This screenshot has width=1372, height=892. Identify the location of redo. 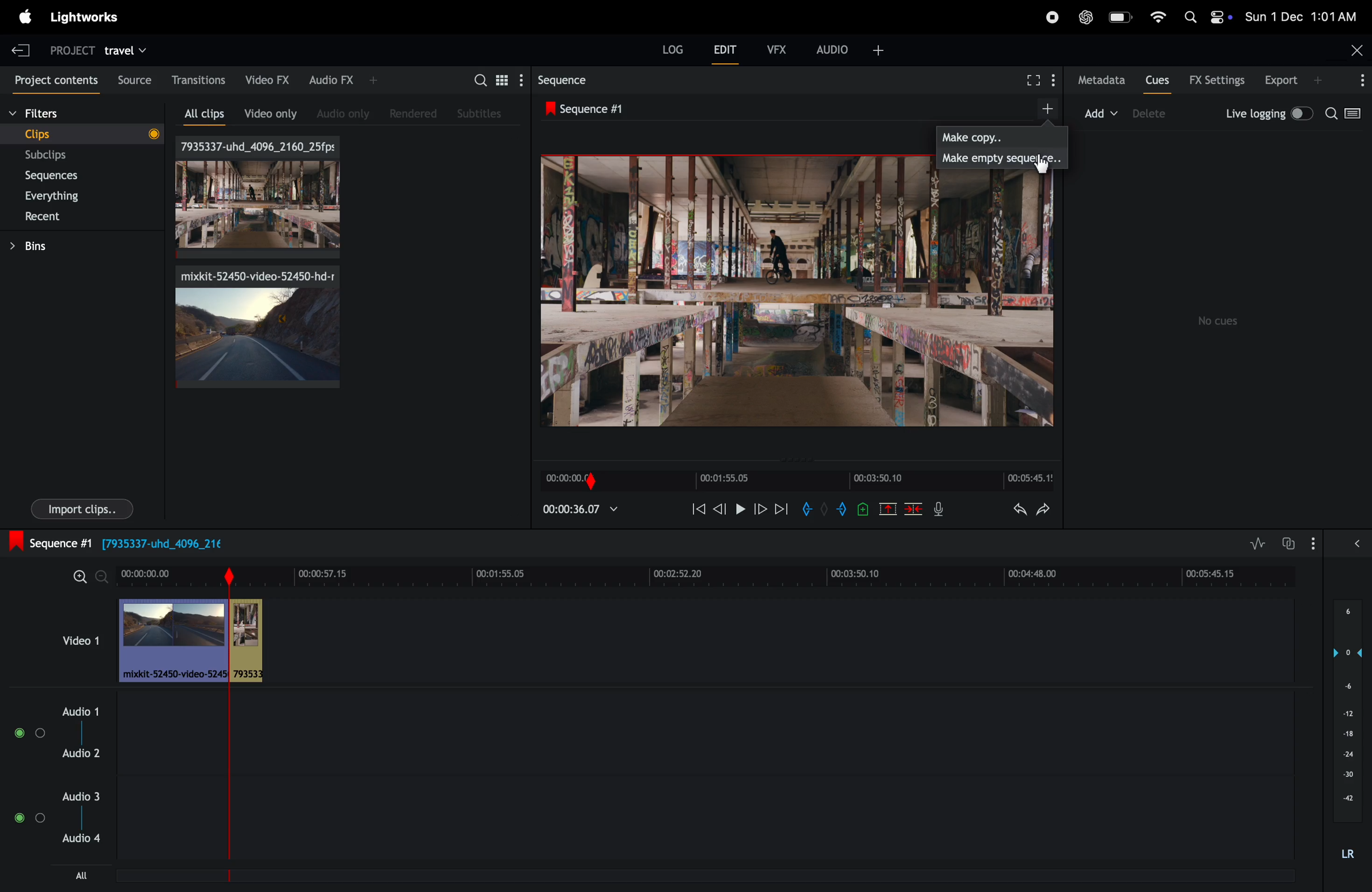
(1044, 510).